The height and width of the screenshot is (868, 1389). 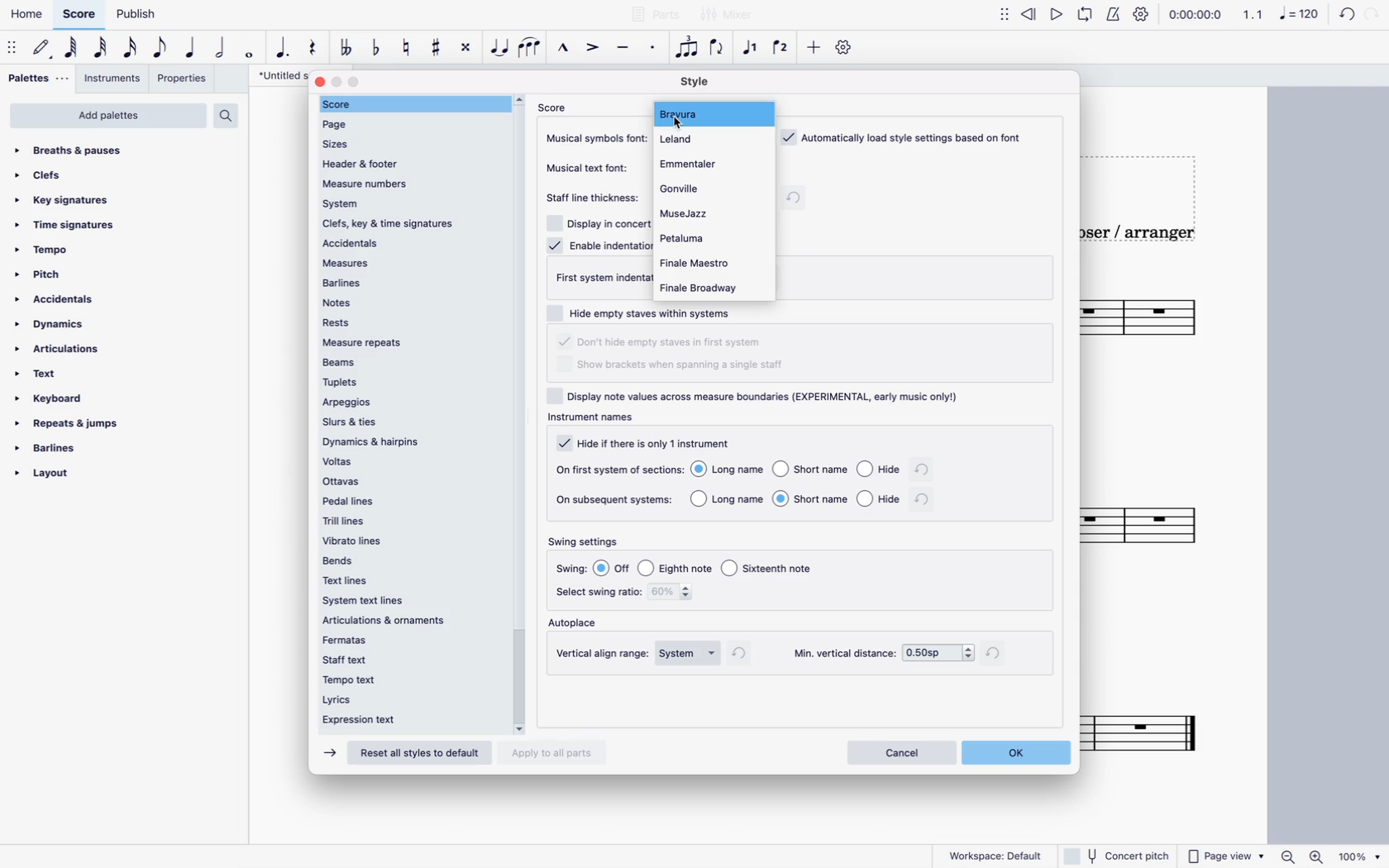 What do you see at coordinates (1017, 753) in the screenshot?
I see `ok` at bounding box center [1017, 753].